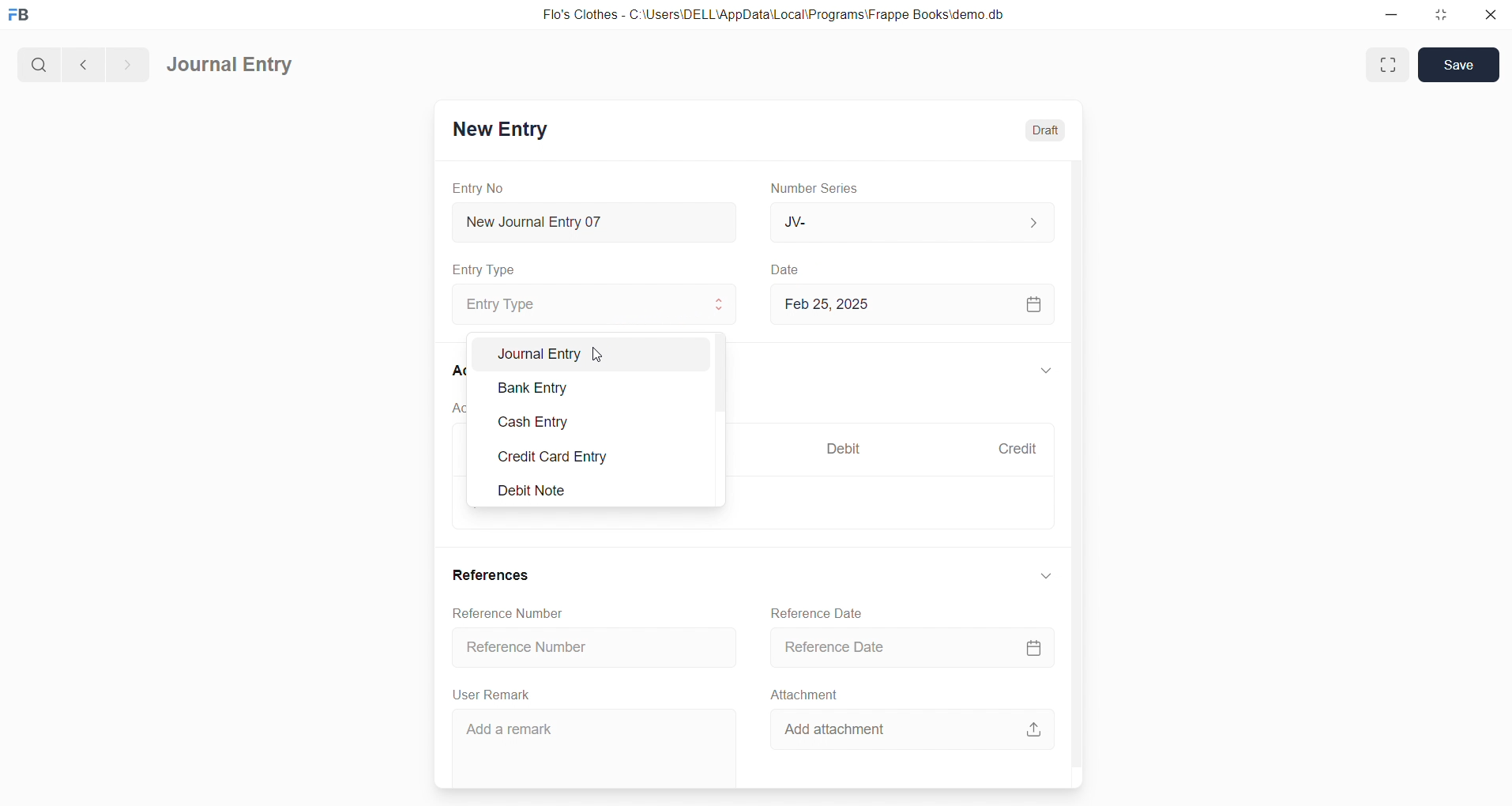  Describe the element at coordinates (1390, 16) in the screenshot. I see `minimize` at that location.